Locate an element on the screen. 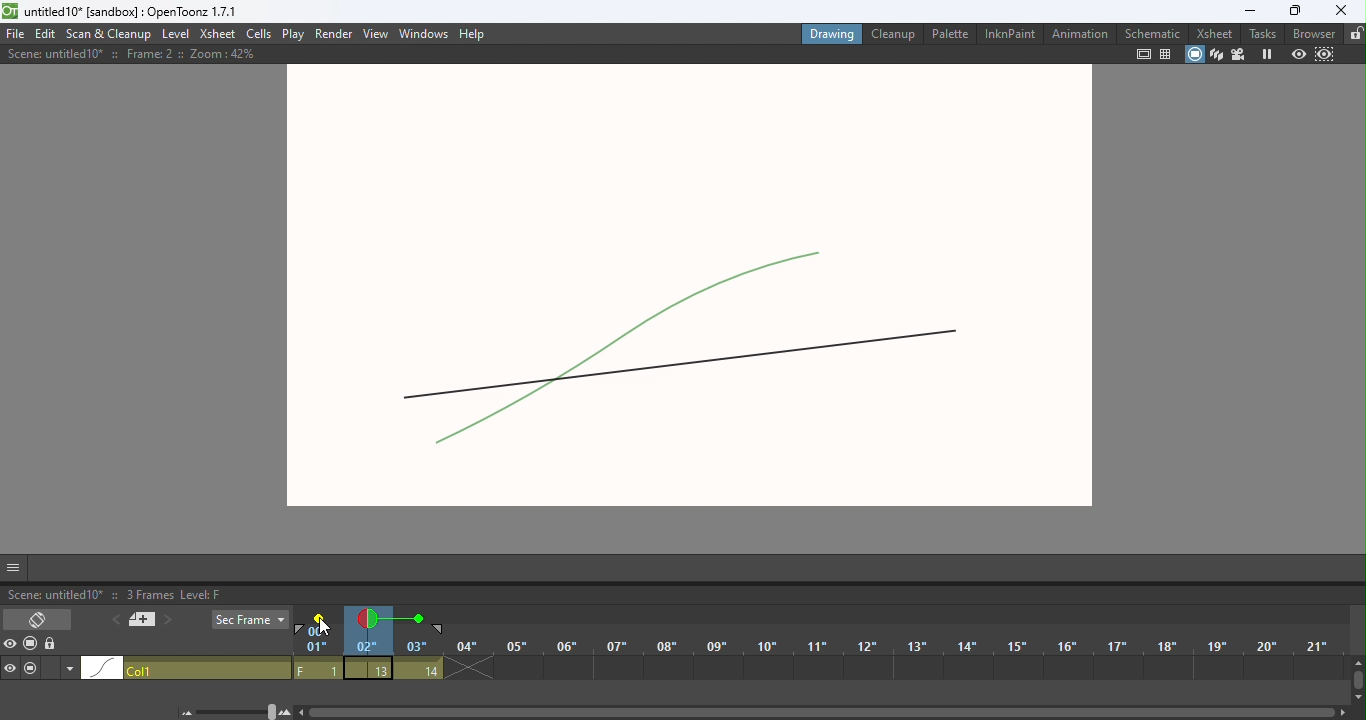 The height and width of the screenshot is (720, 1366). Canvas is located at coordinates (701, 290).